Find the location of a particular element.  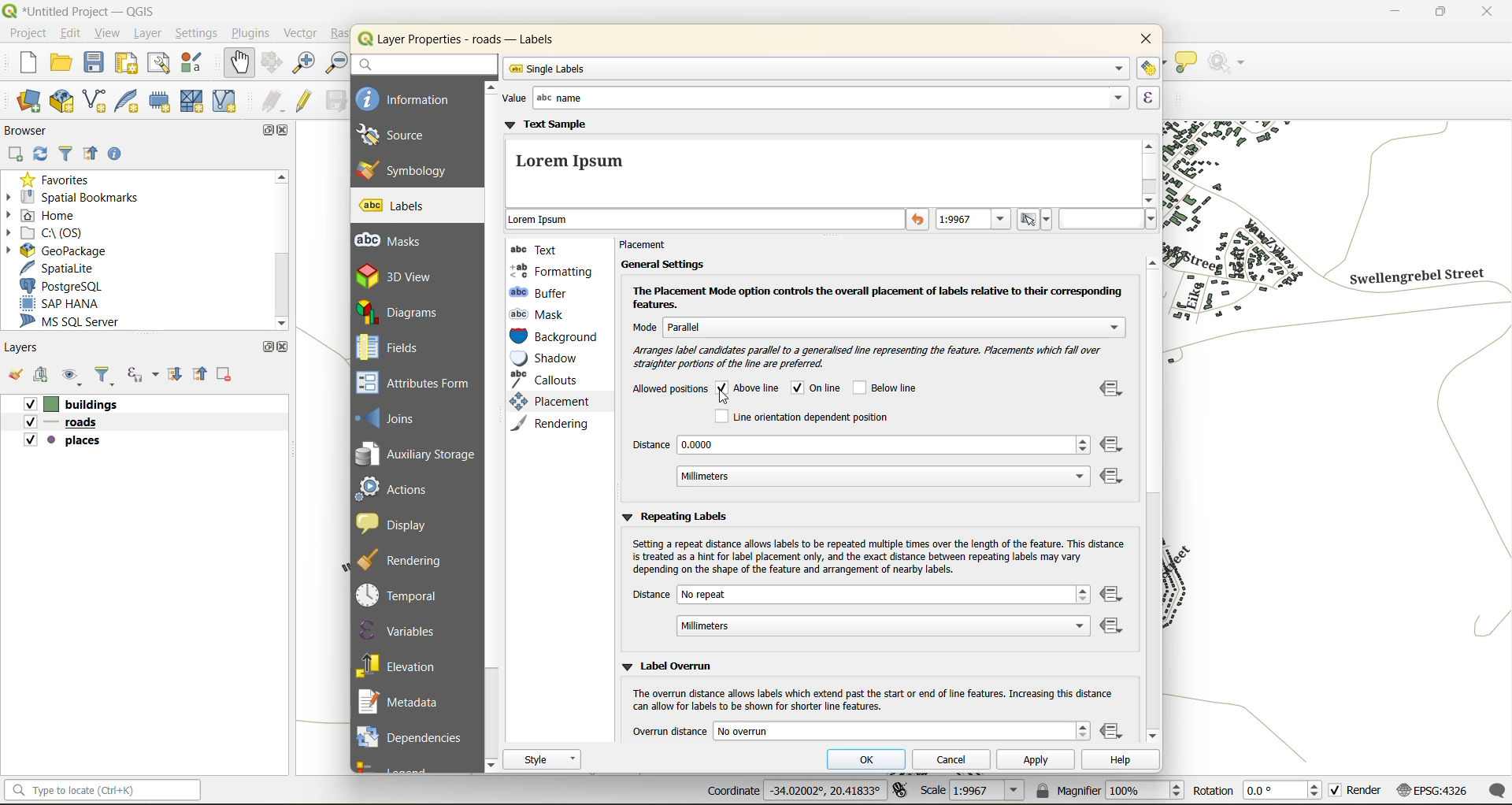

open is located at coordinates (13, 373).